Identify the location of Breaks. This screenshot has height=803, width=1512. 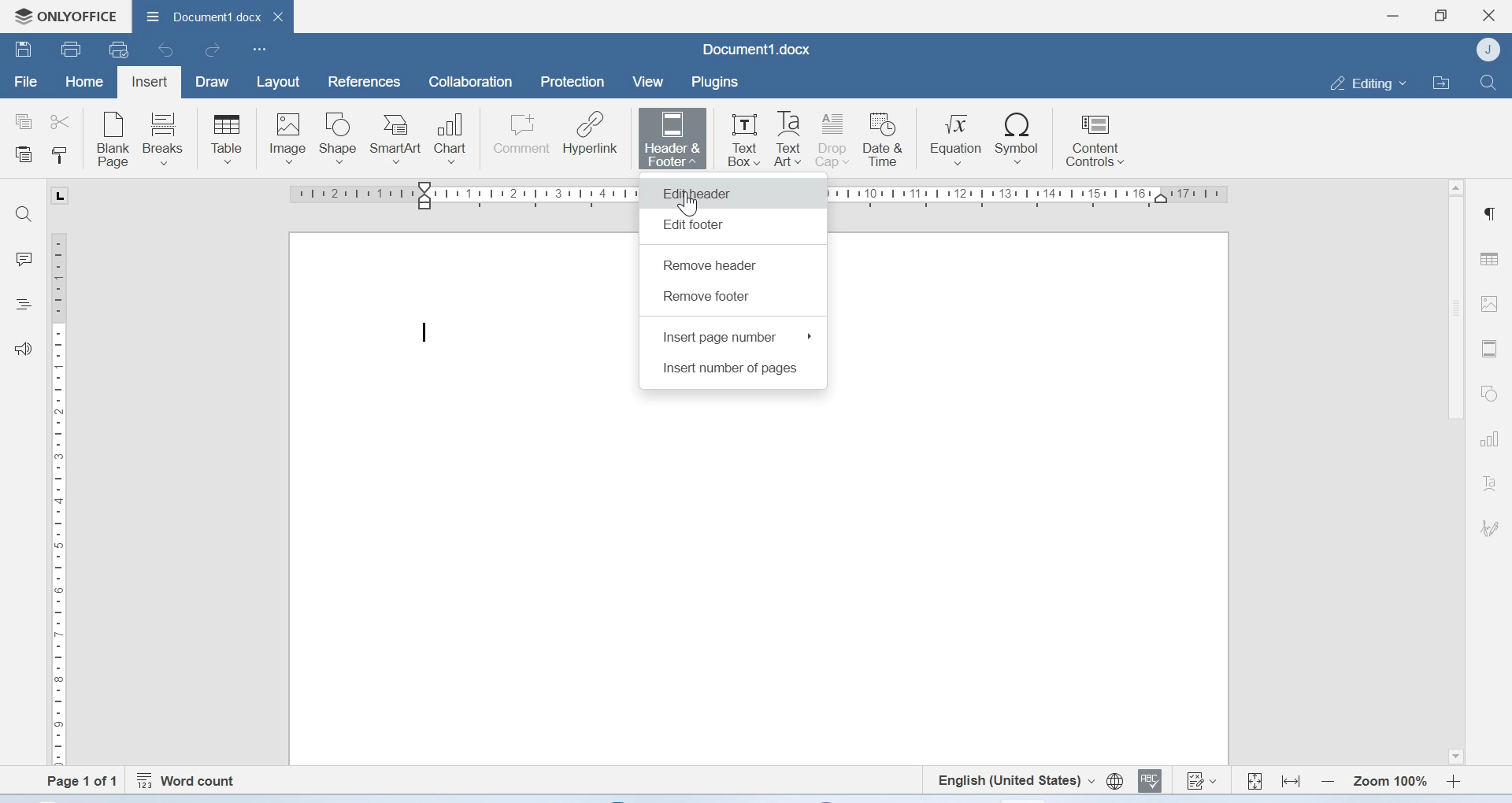
(168, 138).